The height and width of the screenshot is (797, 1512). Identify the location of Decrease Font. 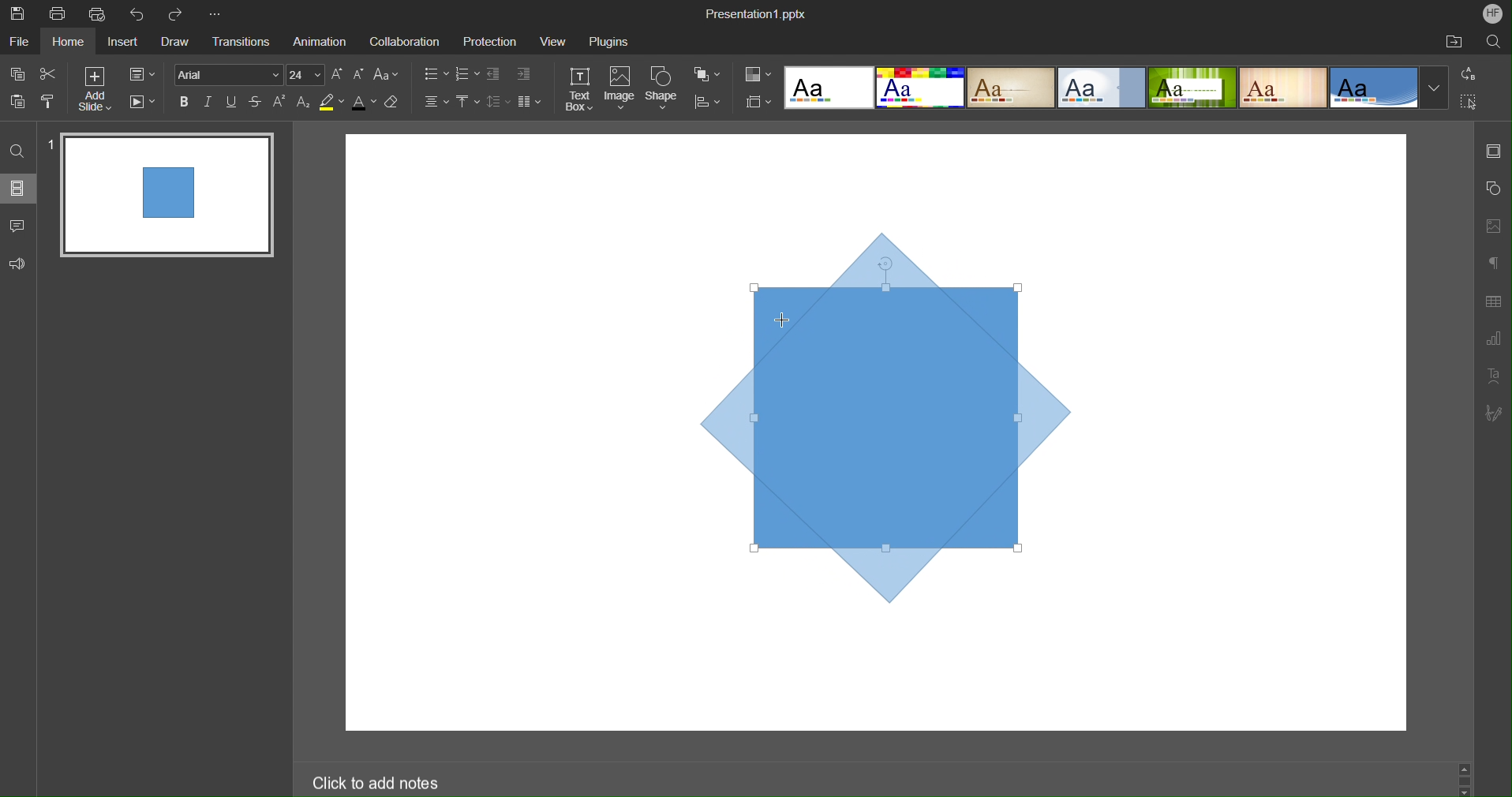
(358, 76).